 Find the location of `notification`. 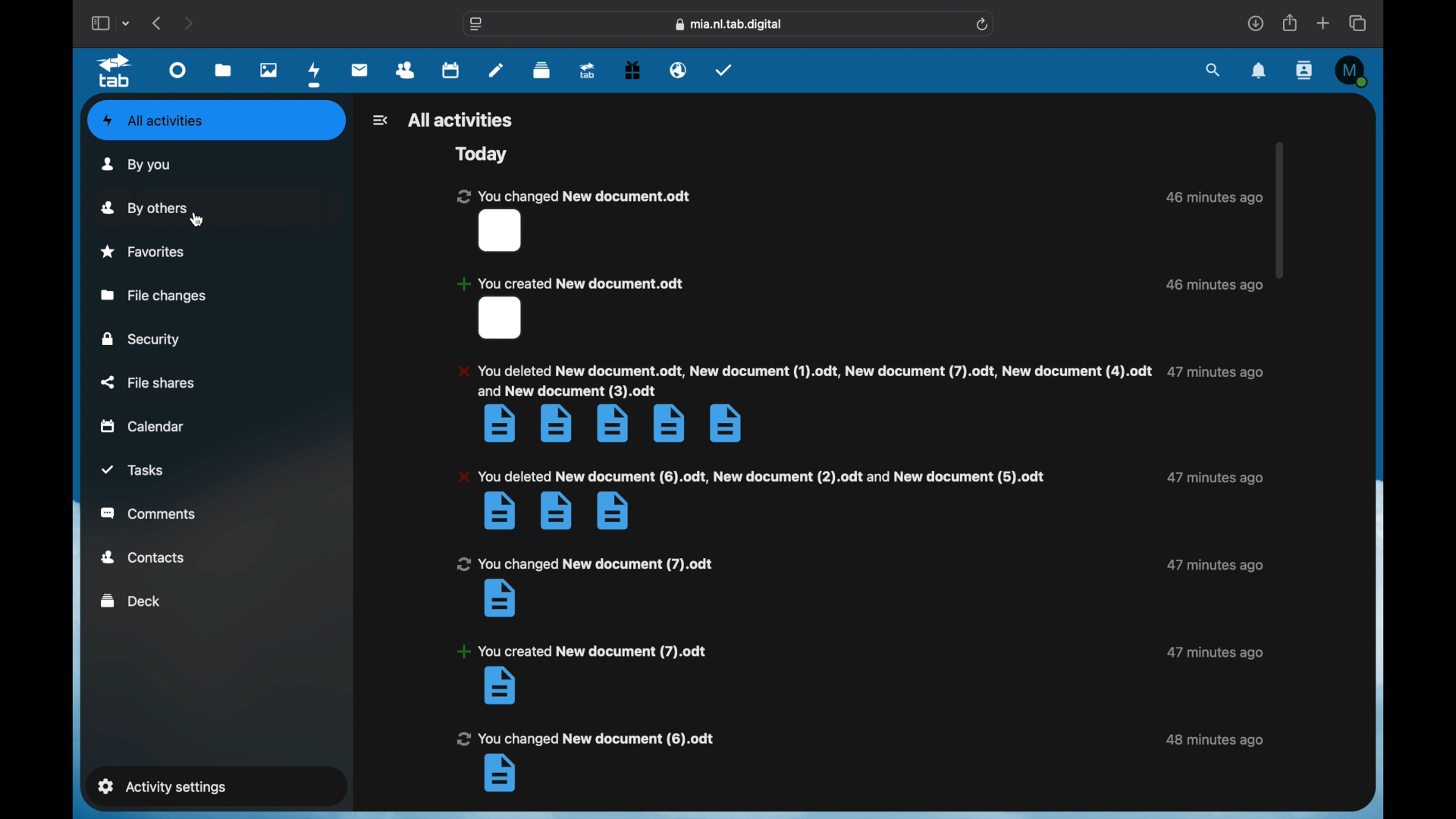

notification is located at coordinates (572, 309).